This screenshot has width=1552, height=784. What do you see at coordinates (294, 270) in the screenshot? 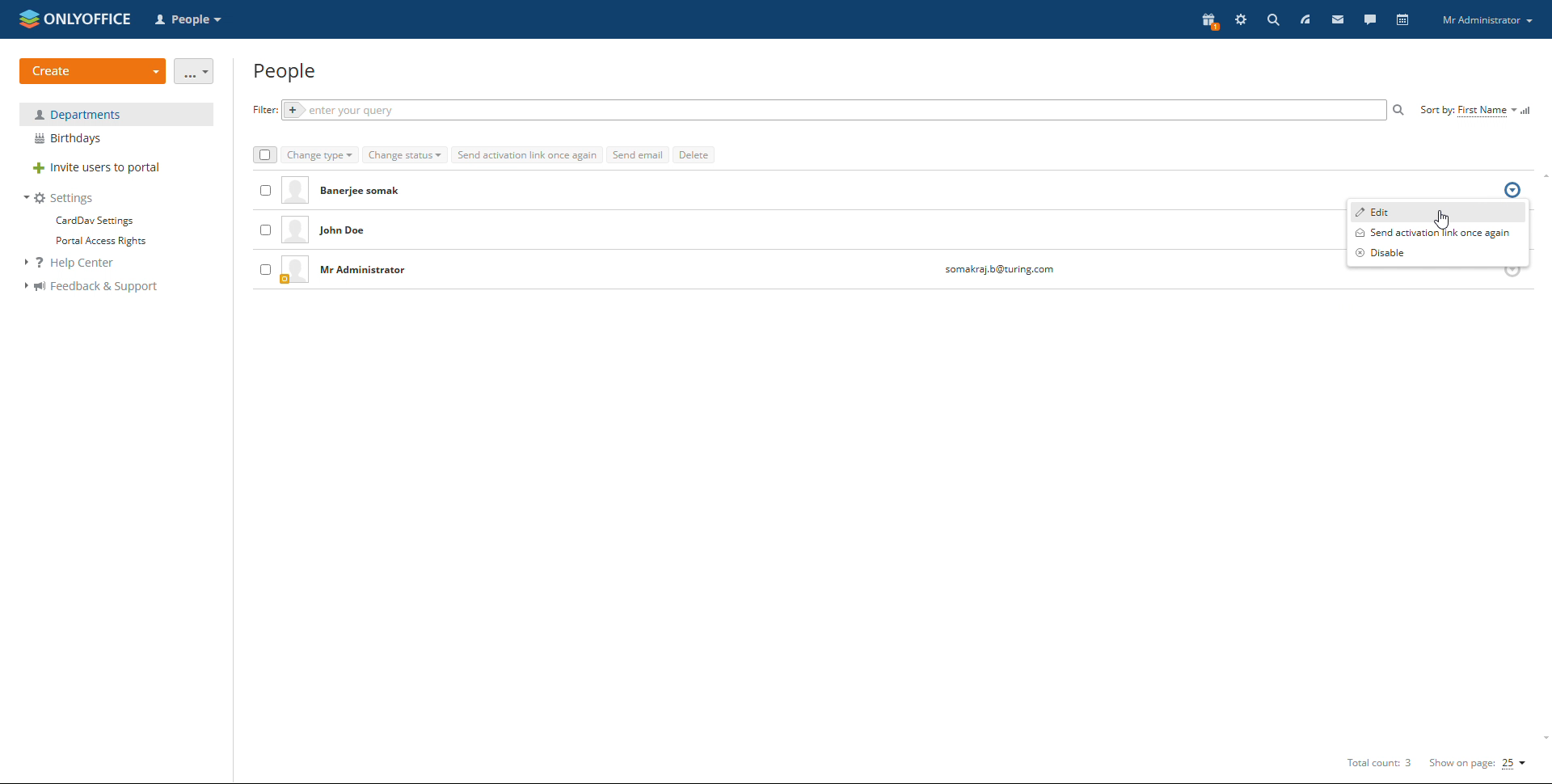
I see `profile picture` at bounding box center [294, 270].